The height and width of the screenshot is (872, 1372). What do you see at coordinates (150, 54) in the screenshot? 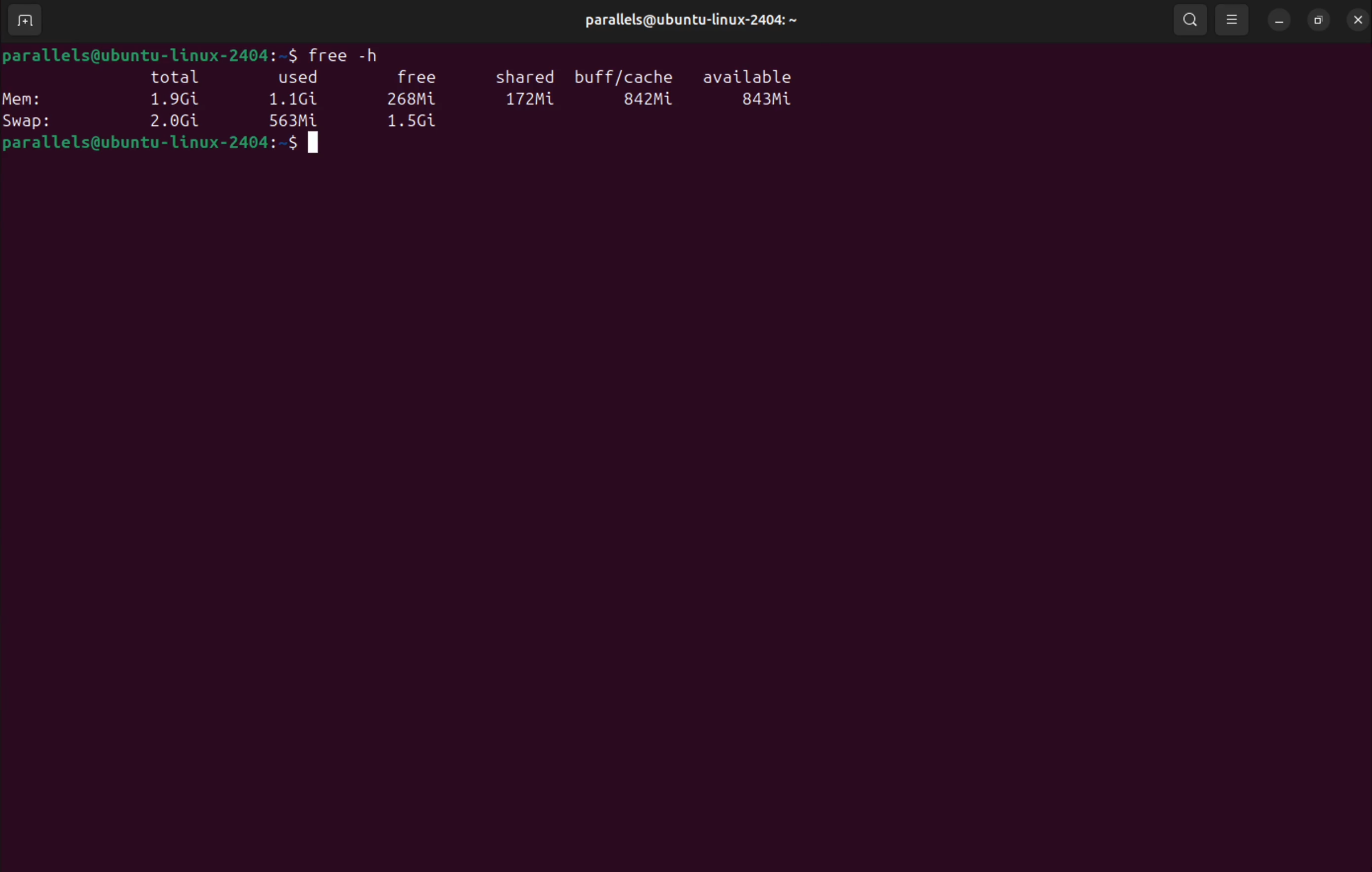
I see `parallels@ubuntu-linux-2404:~$` at bounding box center [150, 54].